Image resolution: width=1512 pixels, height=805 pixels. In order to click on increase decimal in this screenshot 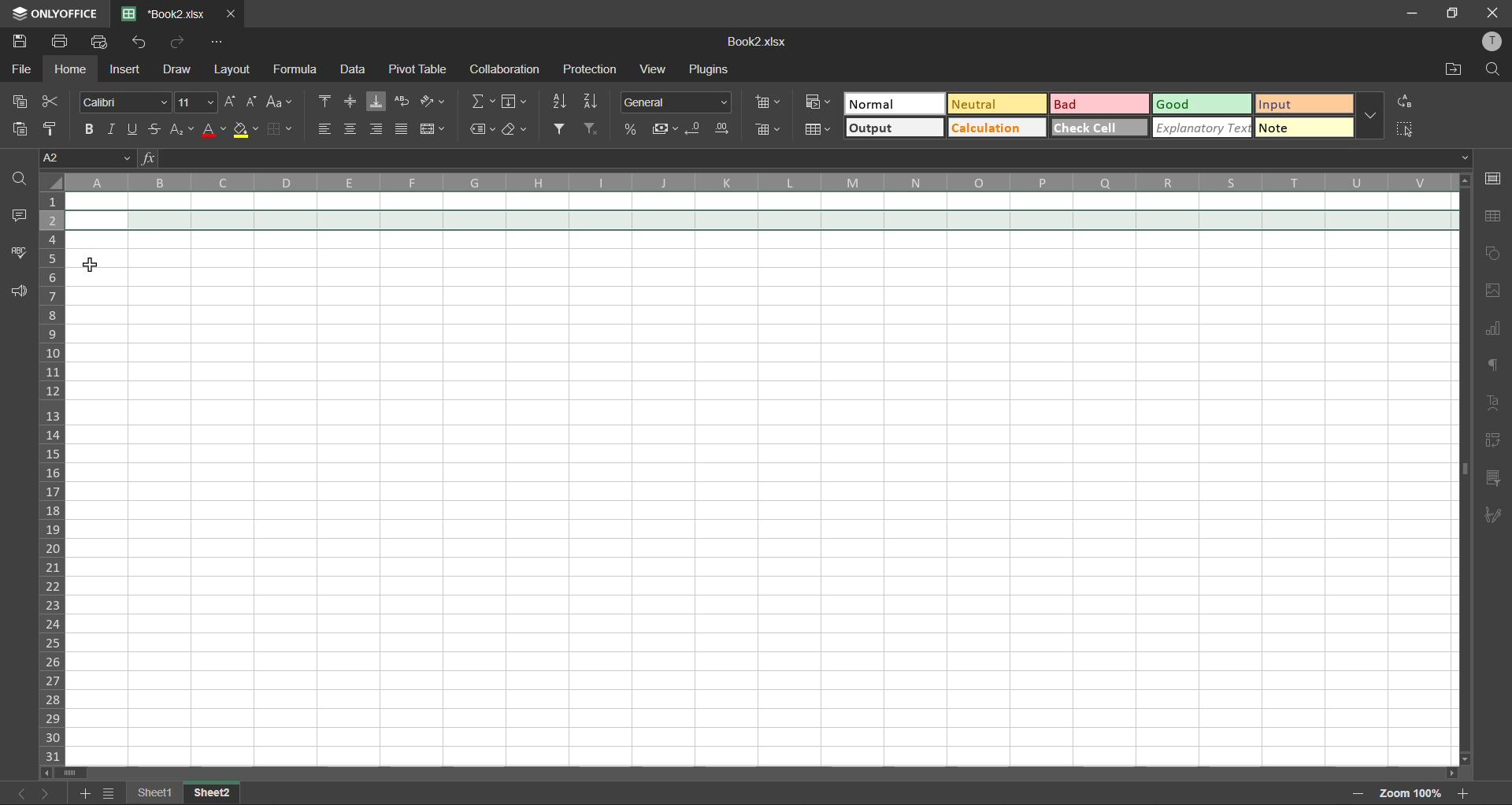, I will do `click(722, 131)`.